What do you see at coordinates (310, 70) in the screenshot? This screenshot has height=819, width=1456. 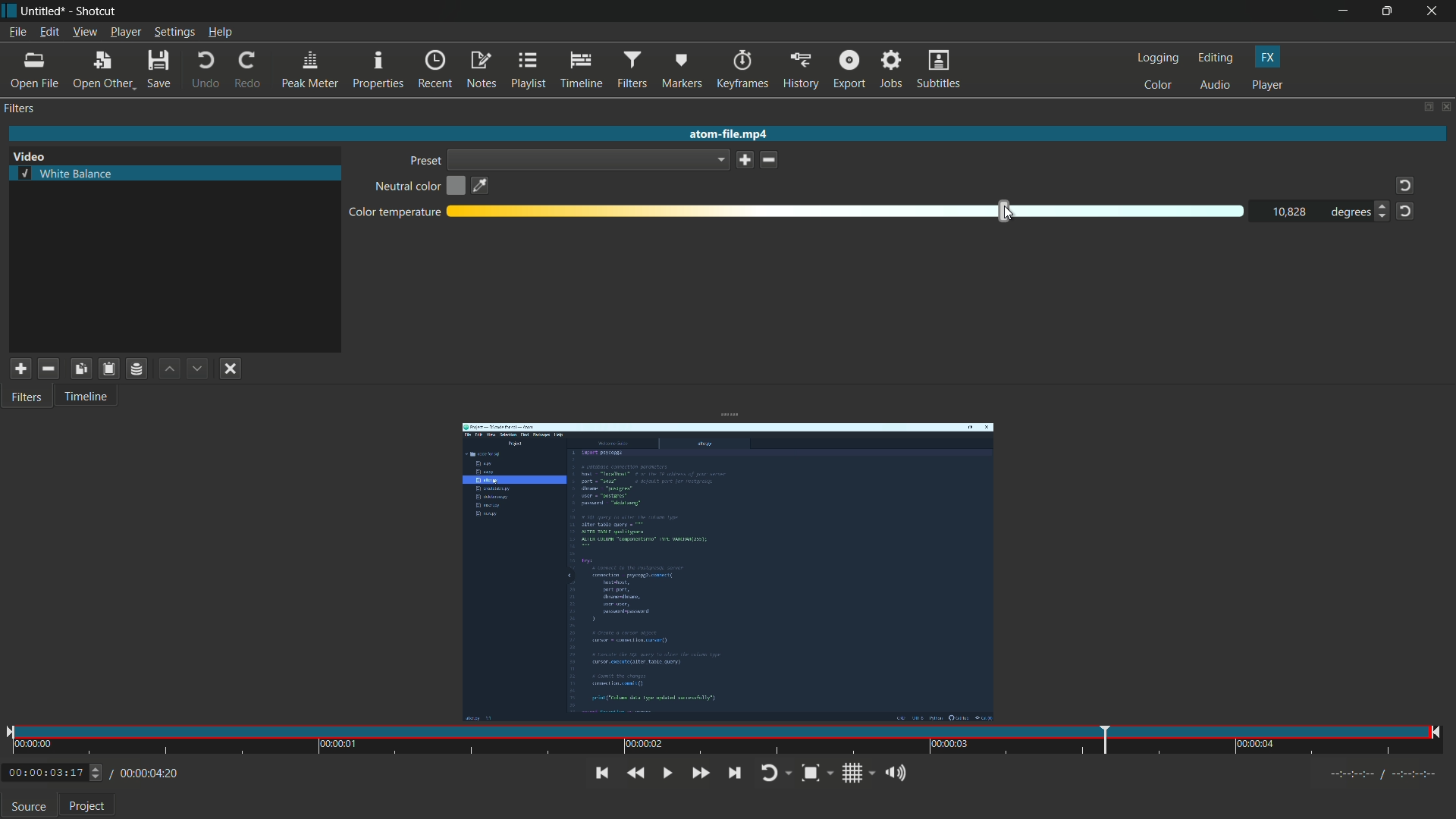 I see `peak meter` at bounding box center [310, 70].